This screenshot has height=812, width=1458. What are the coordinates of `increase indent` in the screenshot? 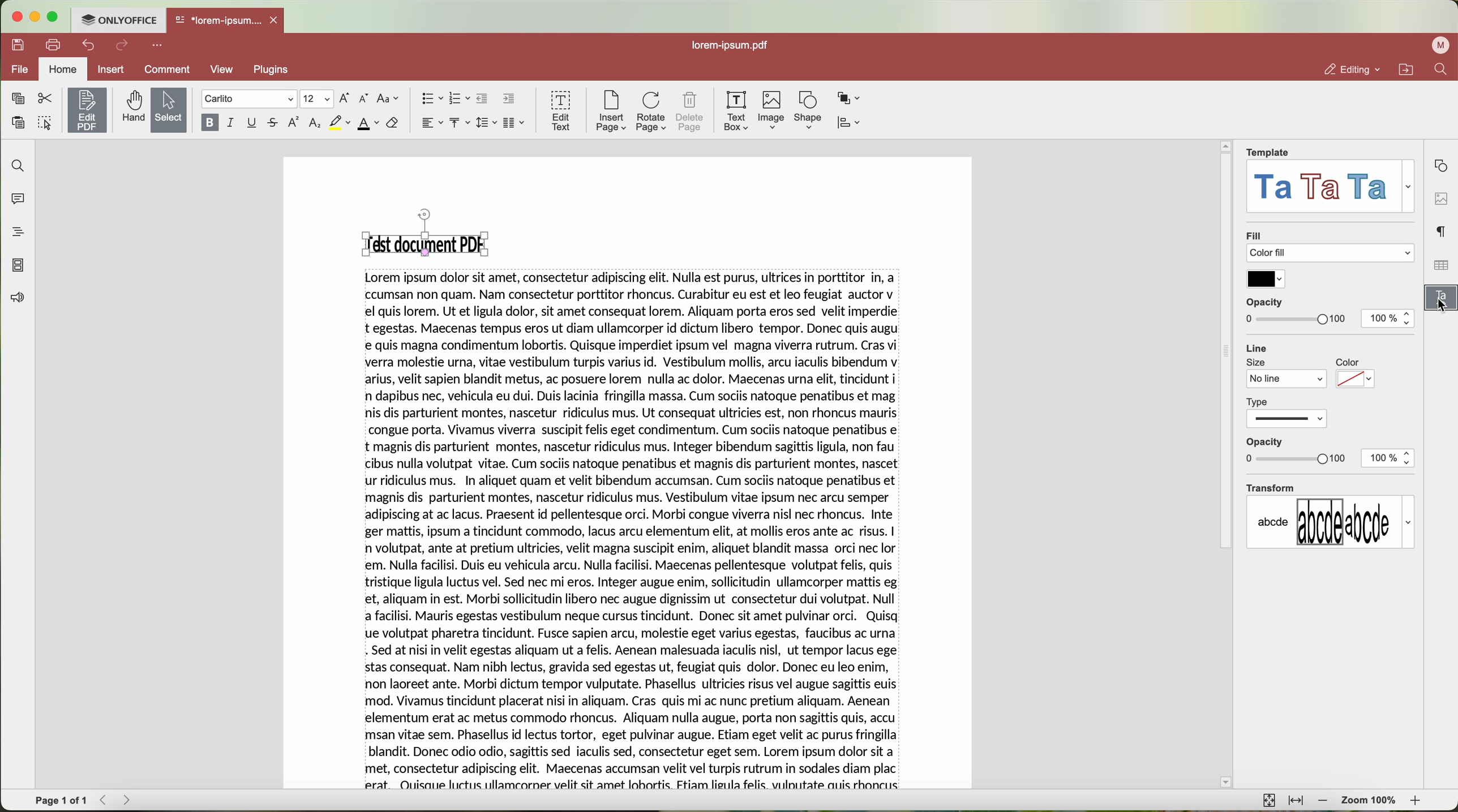 It's located at (509, 99).